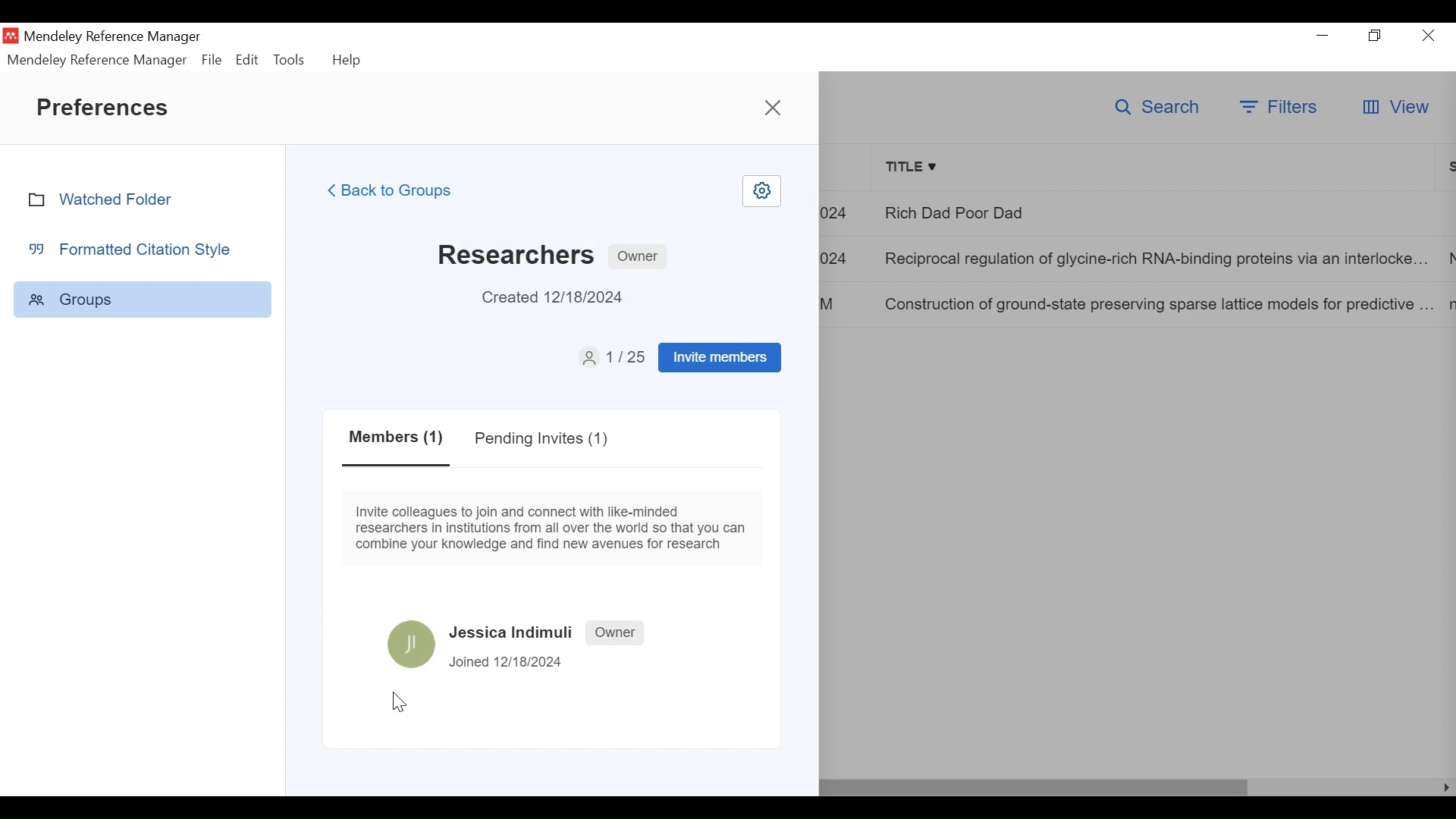 Image resolution: width=1456 pixels, height=819 pixels. I want to click on Formatted Citation Style, so click(136, 249).